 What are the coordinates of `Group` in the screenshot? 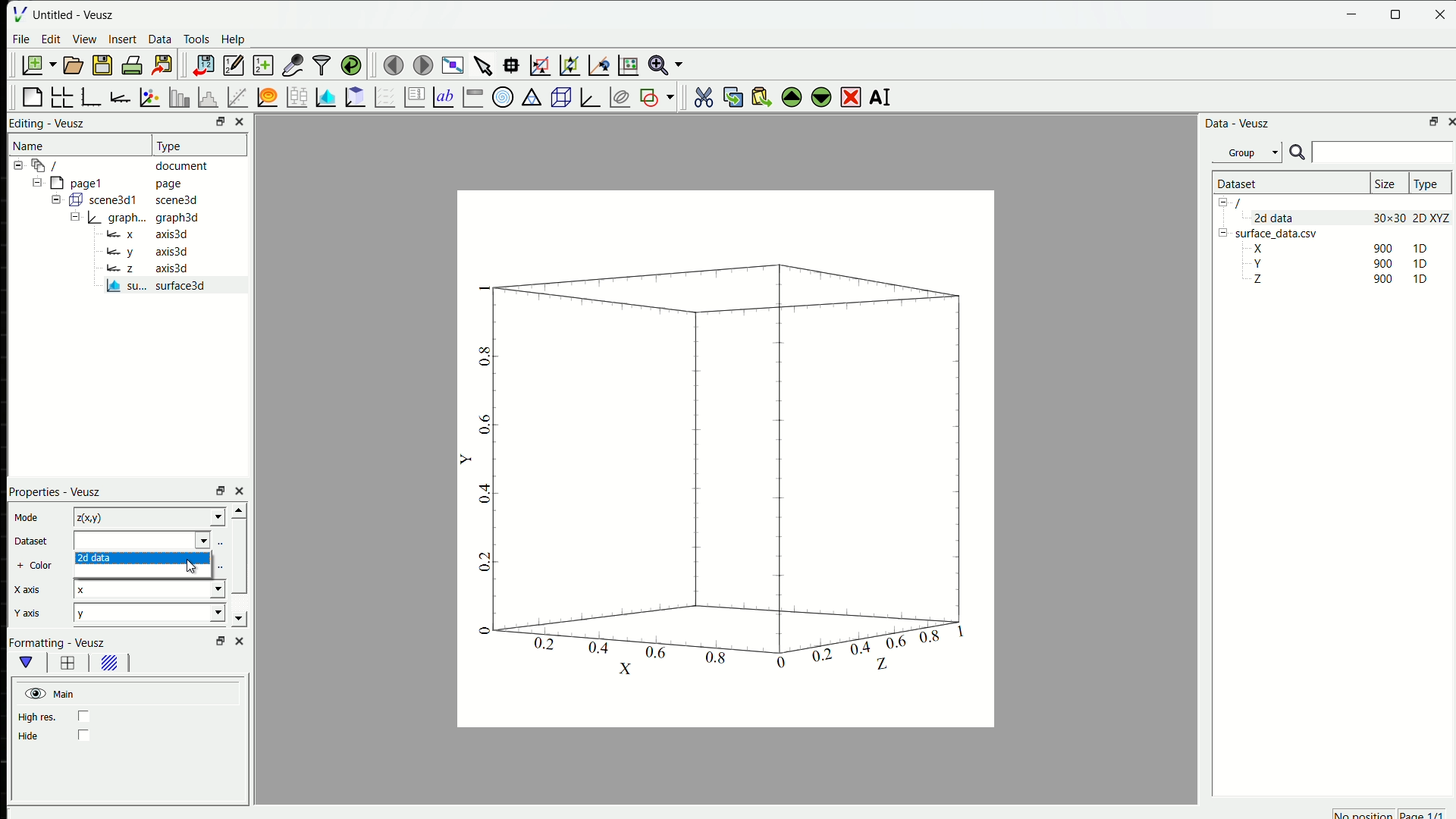 It's located at (1247, 152).